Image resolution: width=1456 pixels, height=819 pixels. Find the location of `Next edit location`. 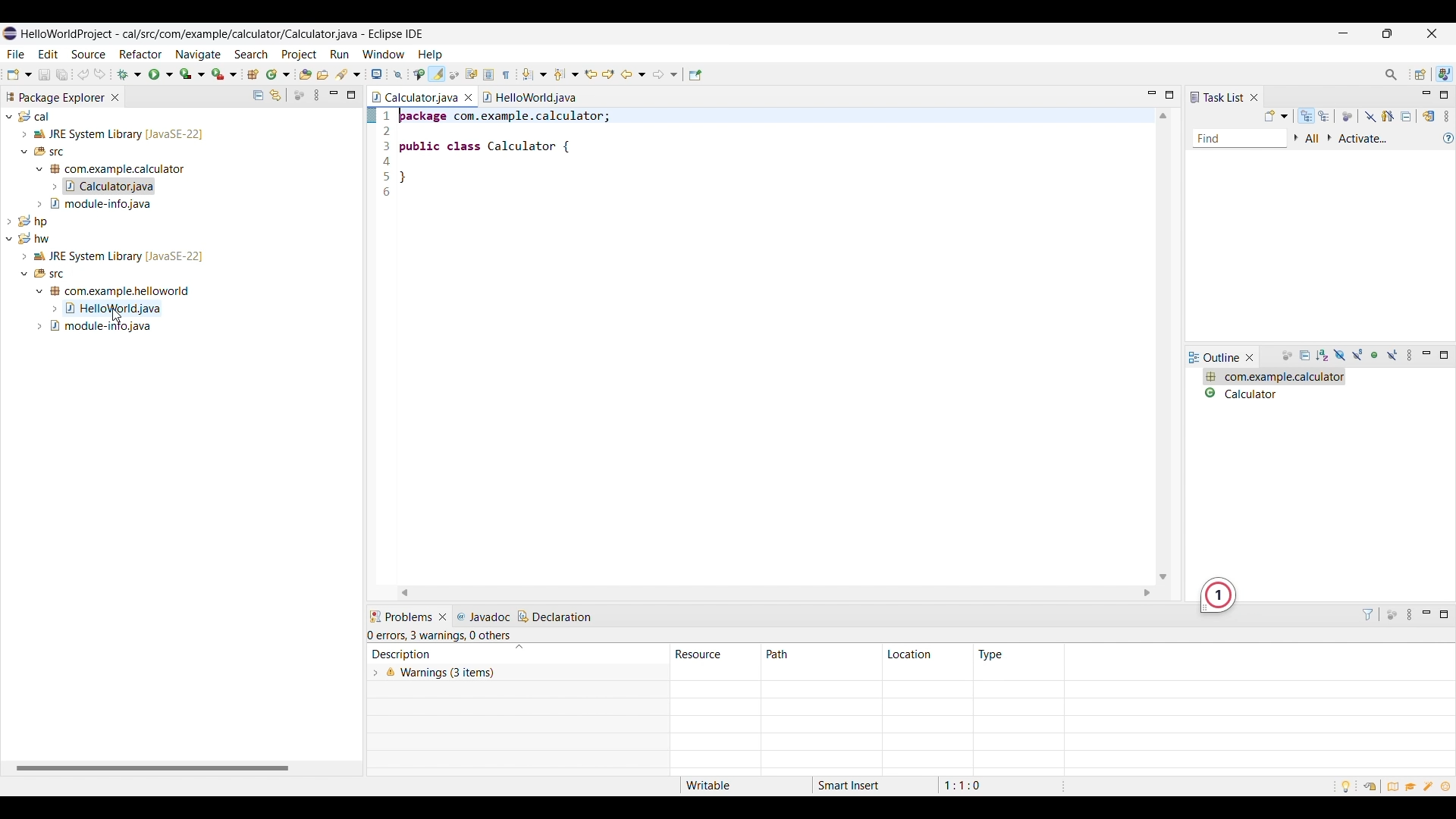

Next edit location is located at coordinates (609, 74).